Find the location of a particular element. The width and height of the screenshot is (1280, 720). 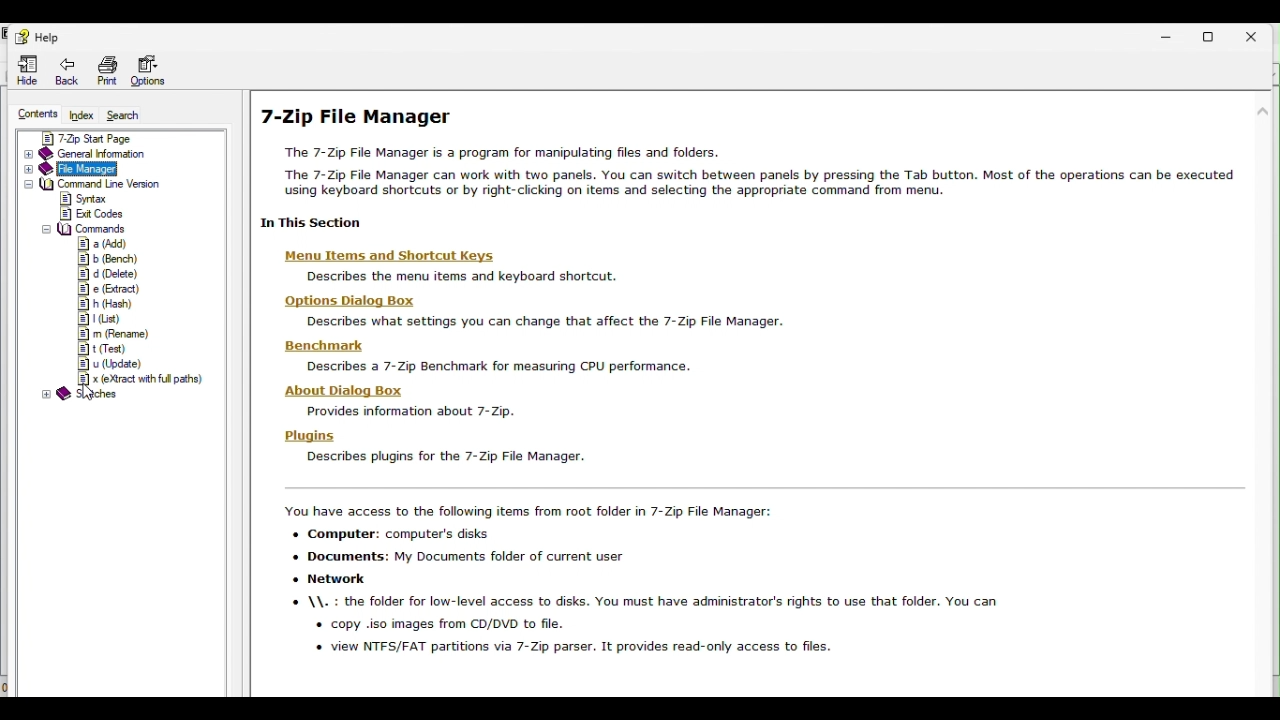

Exit codes is located at coordinates (102, 214).